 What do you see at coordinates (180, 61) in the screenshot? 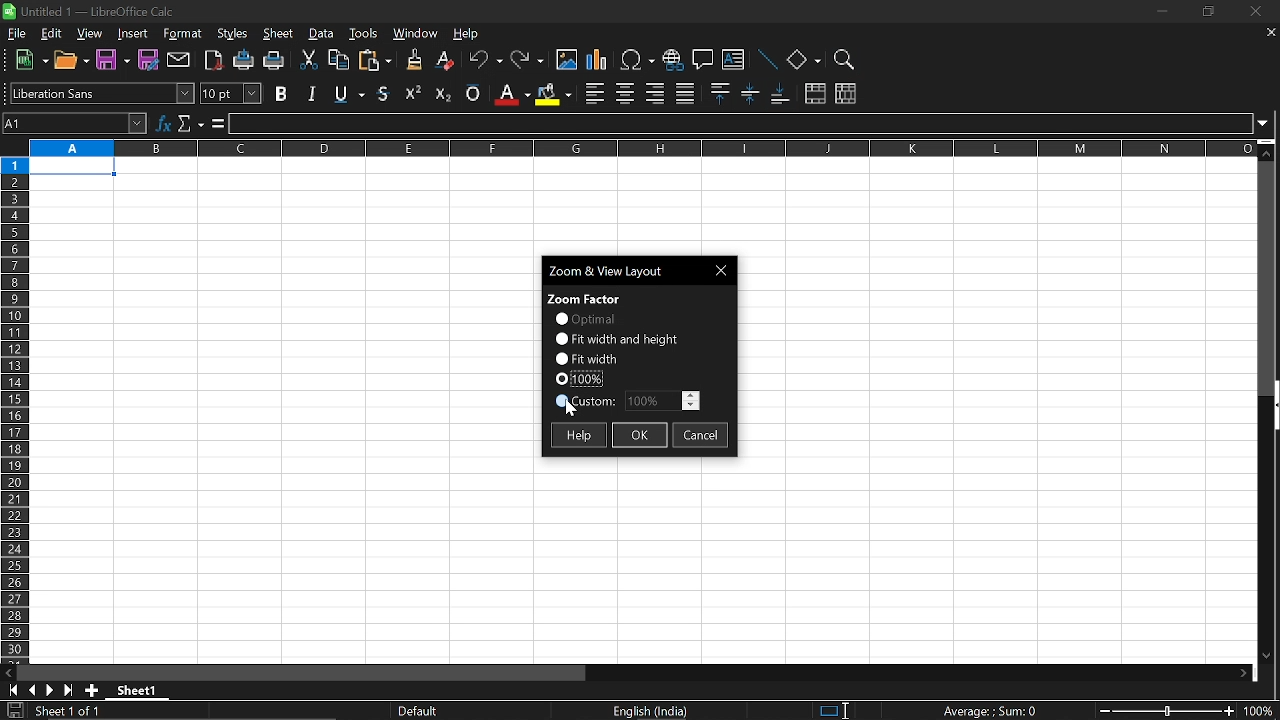
I see `attach` at bounding box center [180, 61].